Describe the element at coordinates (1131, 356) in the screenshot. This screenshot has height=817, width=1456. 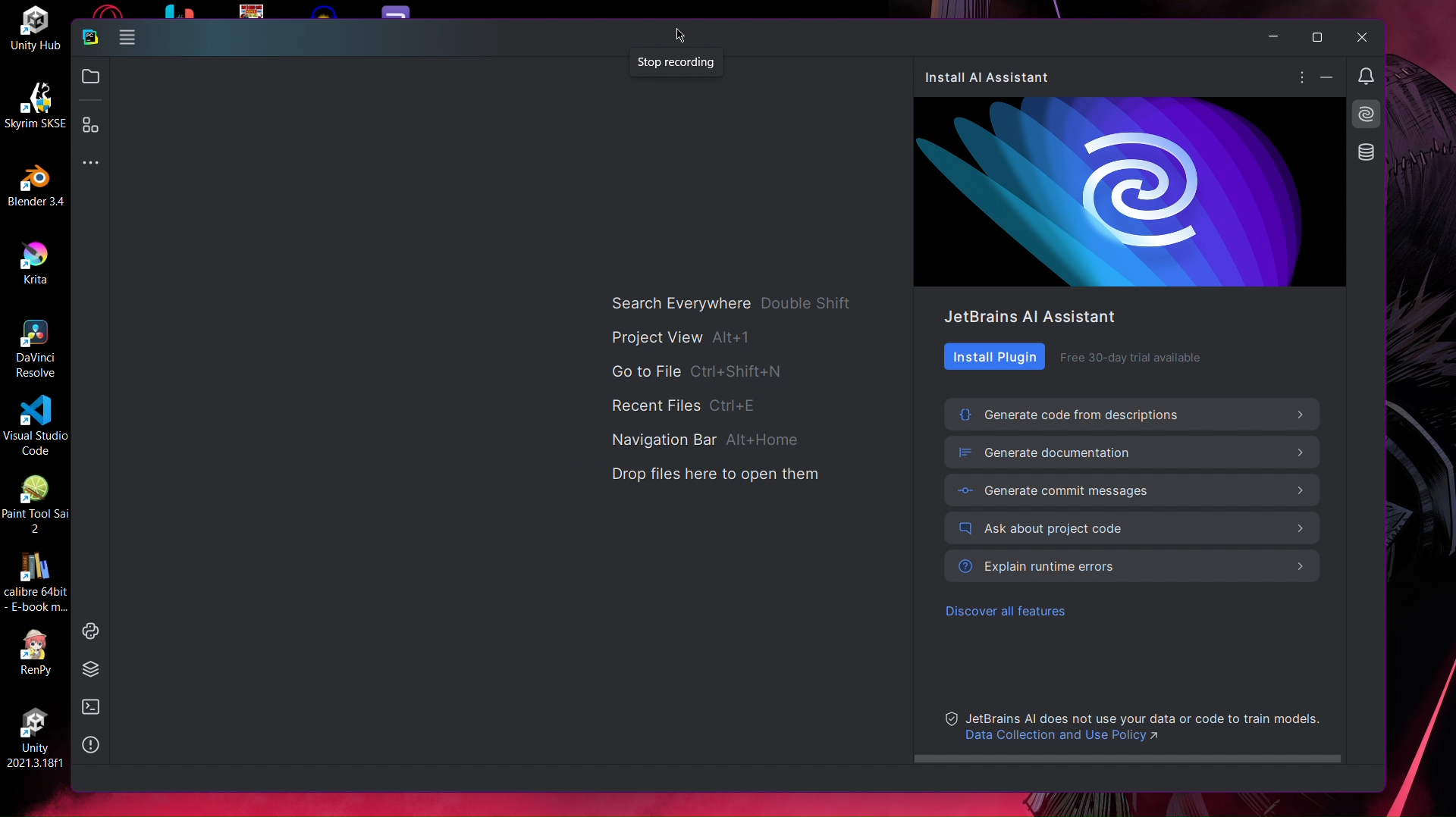
I see `Free 30 day trial available` at that location.